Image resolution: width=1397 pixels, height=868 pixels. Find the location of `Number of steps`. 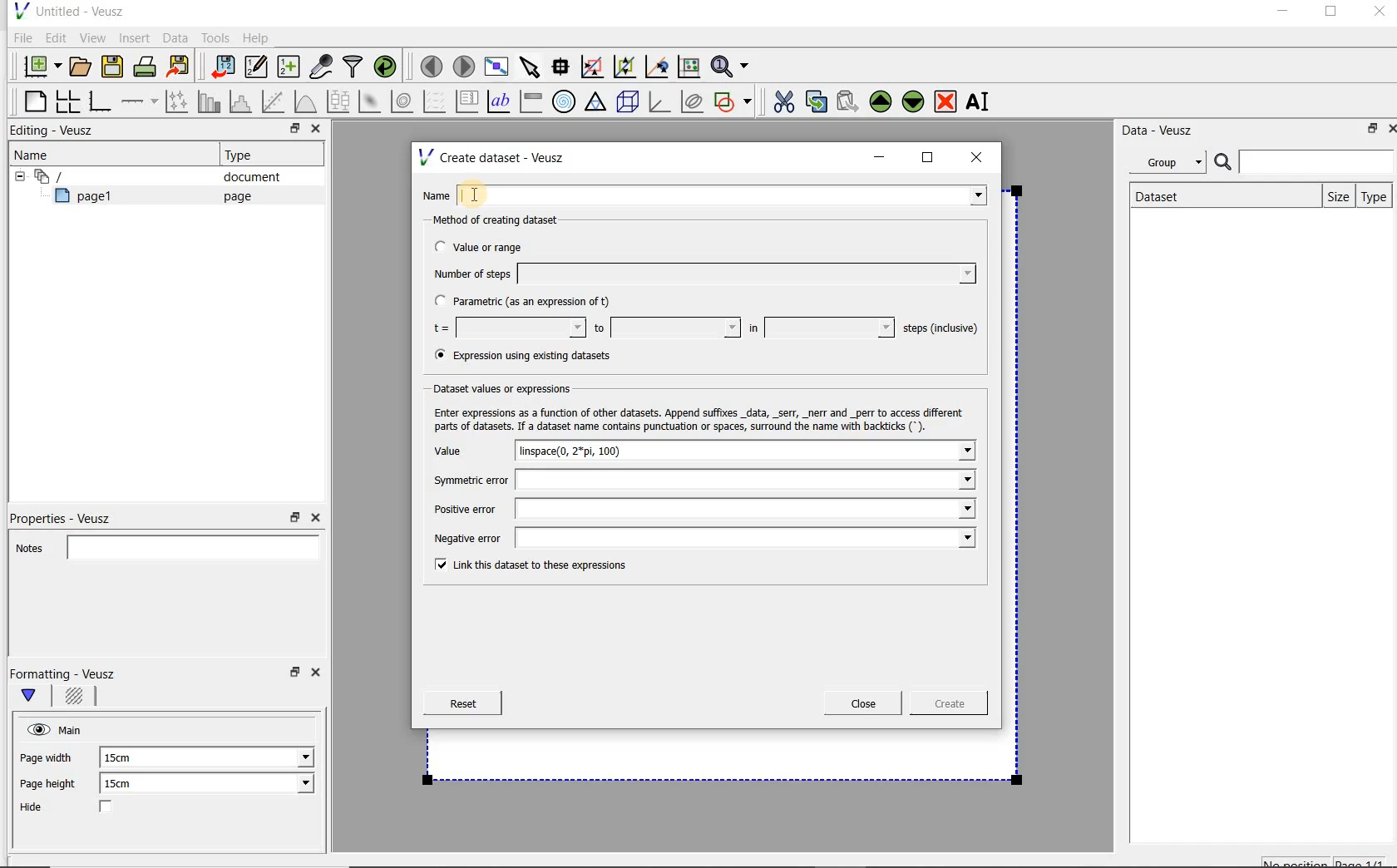

Number of steps is located at coordinates (699, 274).